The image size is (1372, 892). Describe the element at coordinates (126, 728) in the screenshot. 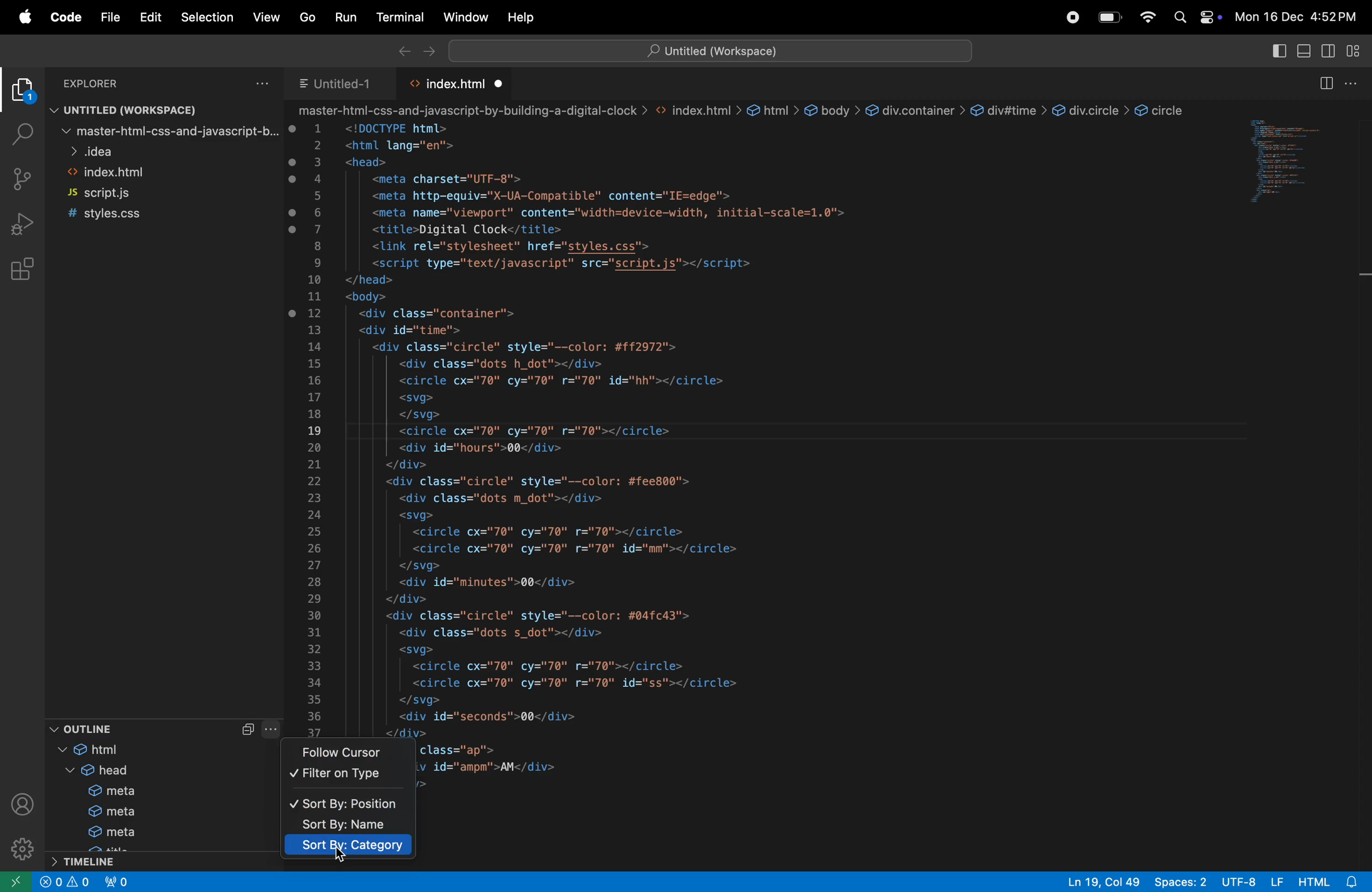

I see `outline` at that location.